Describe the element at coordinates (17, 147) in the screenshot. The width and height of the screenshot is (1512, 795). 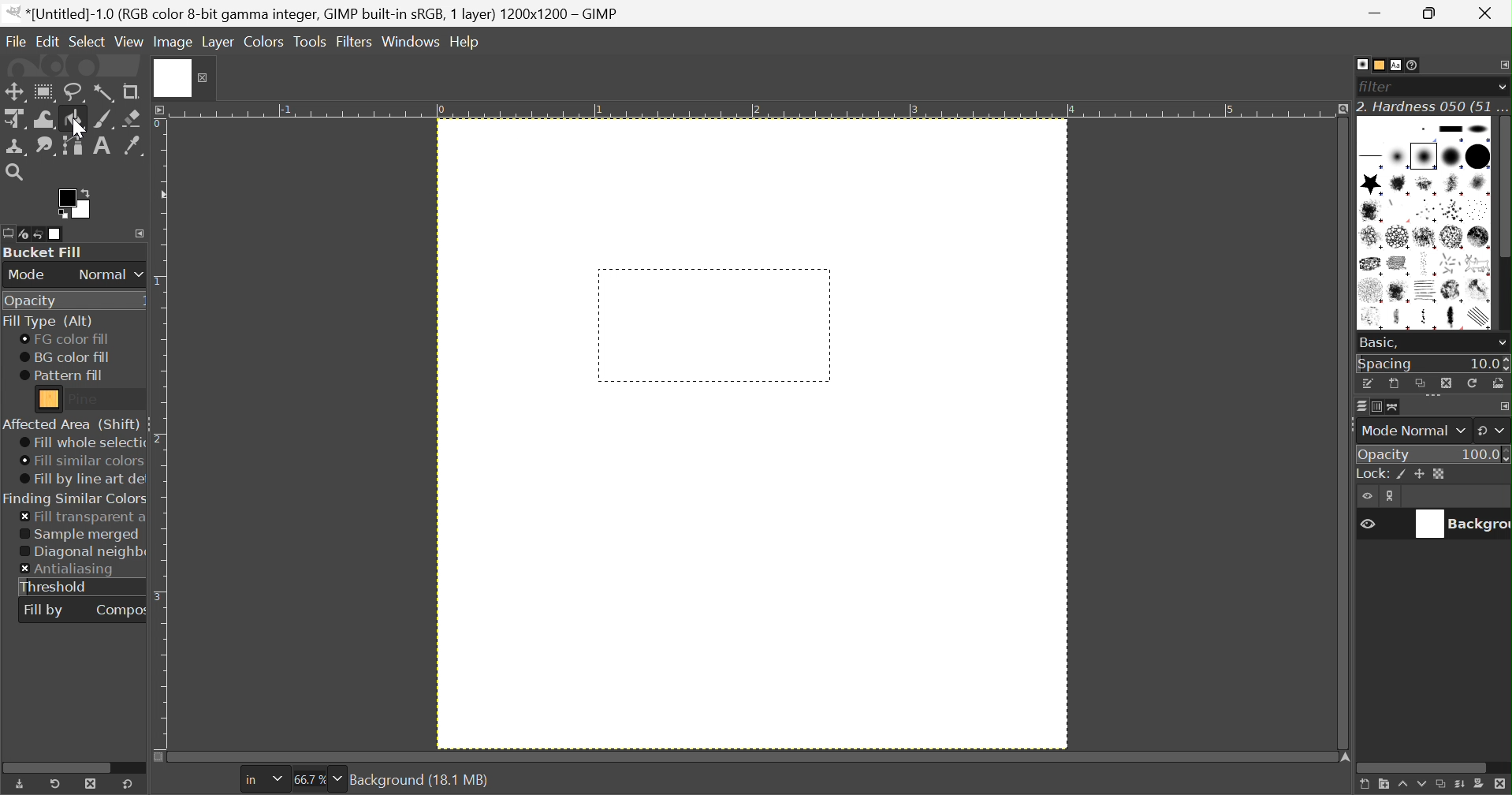
I see `Clone Tool` at that location.